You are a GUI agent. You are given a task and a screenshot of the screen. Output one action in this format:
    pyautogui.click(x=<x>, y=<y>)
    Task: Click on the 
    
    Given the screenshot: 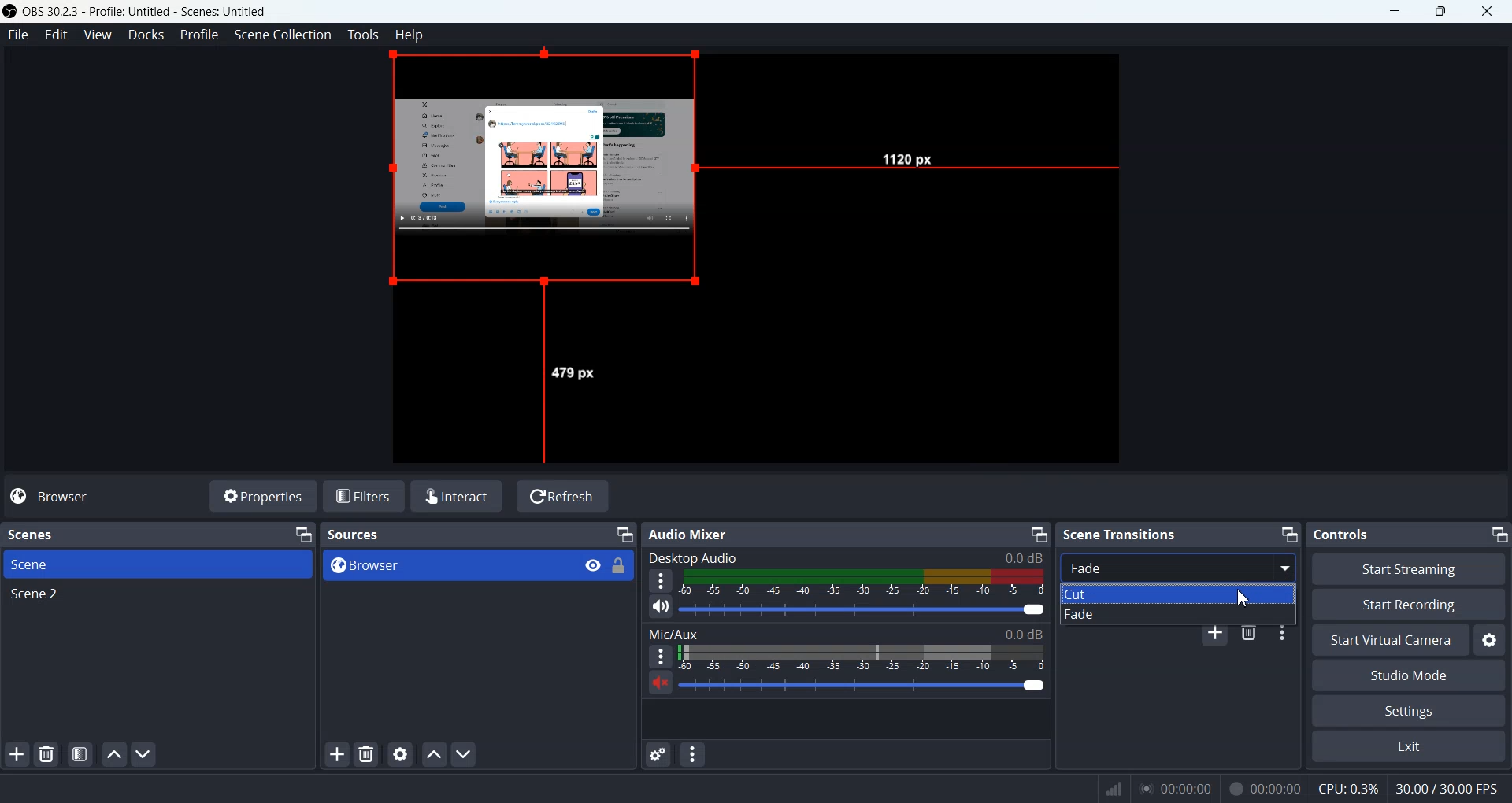 What is the action you would take?
    pyautogui.click(x=908, y=157)
    